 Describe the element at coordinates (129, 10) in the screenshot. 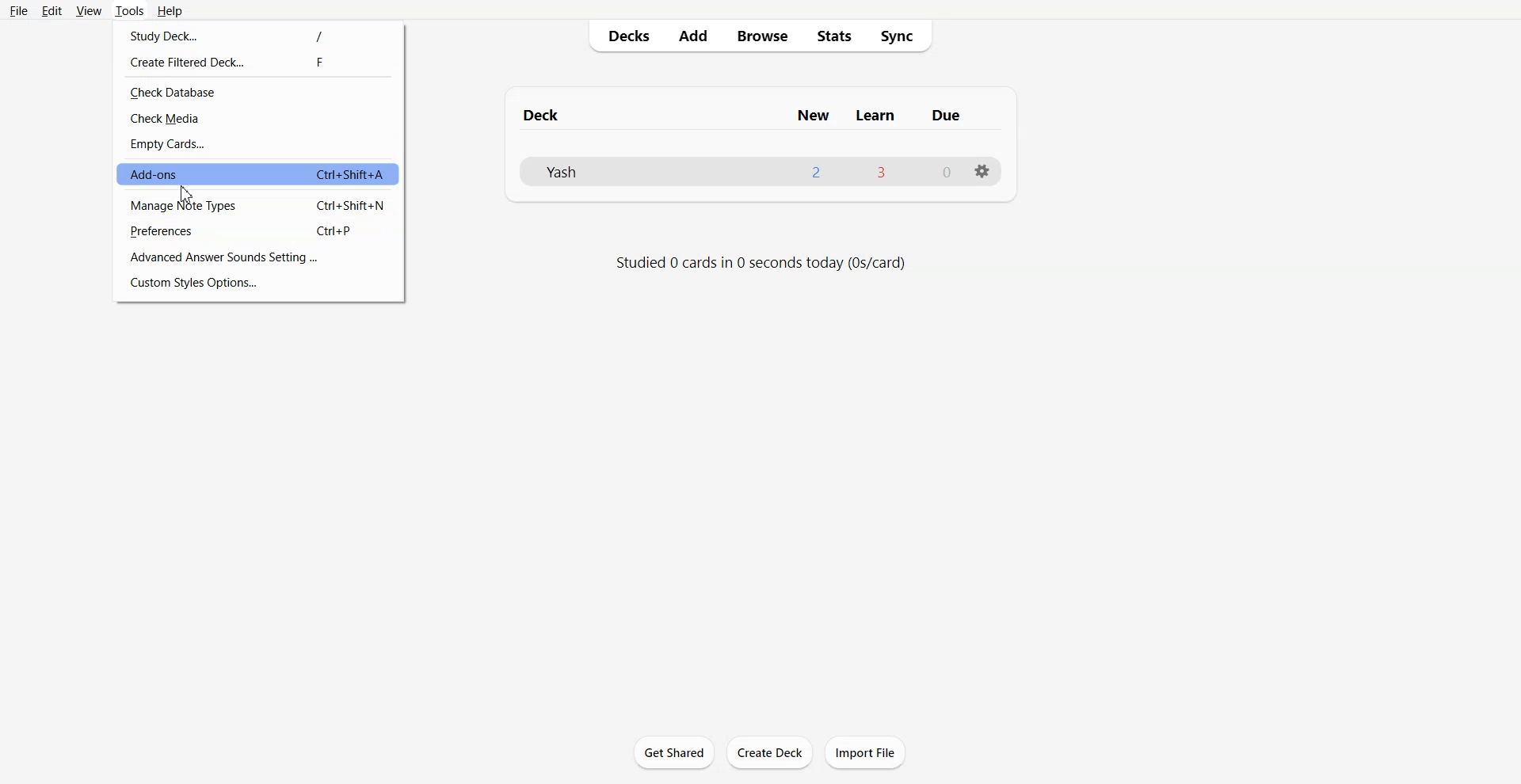

I see `Tools` at that location.